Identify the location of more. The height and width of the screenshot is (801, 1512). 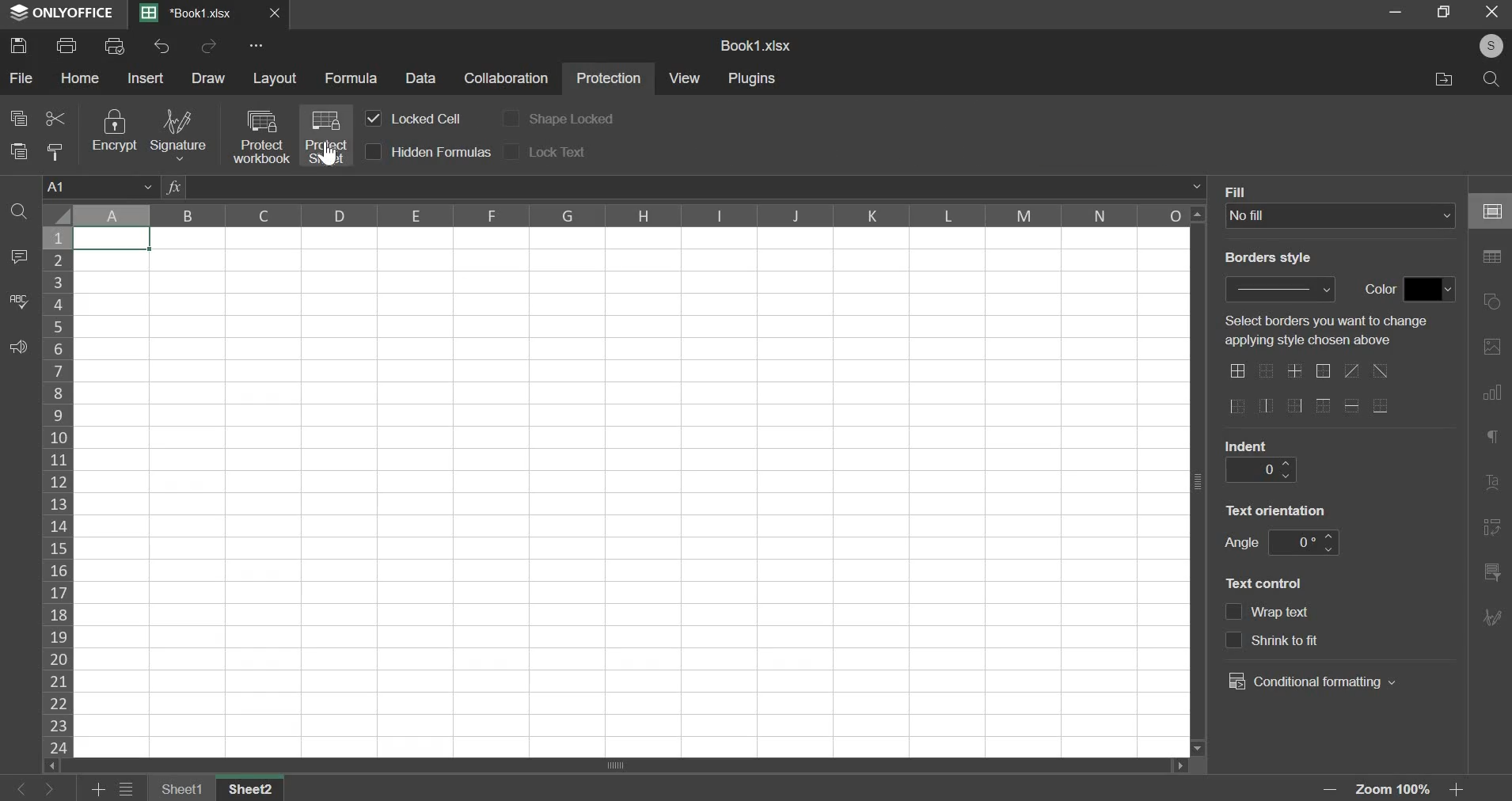
(259, 45).